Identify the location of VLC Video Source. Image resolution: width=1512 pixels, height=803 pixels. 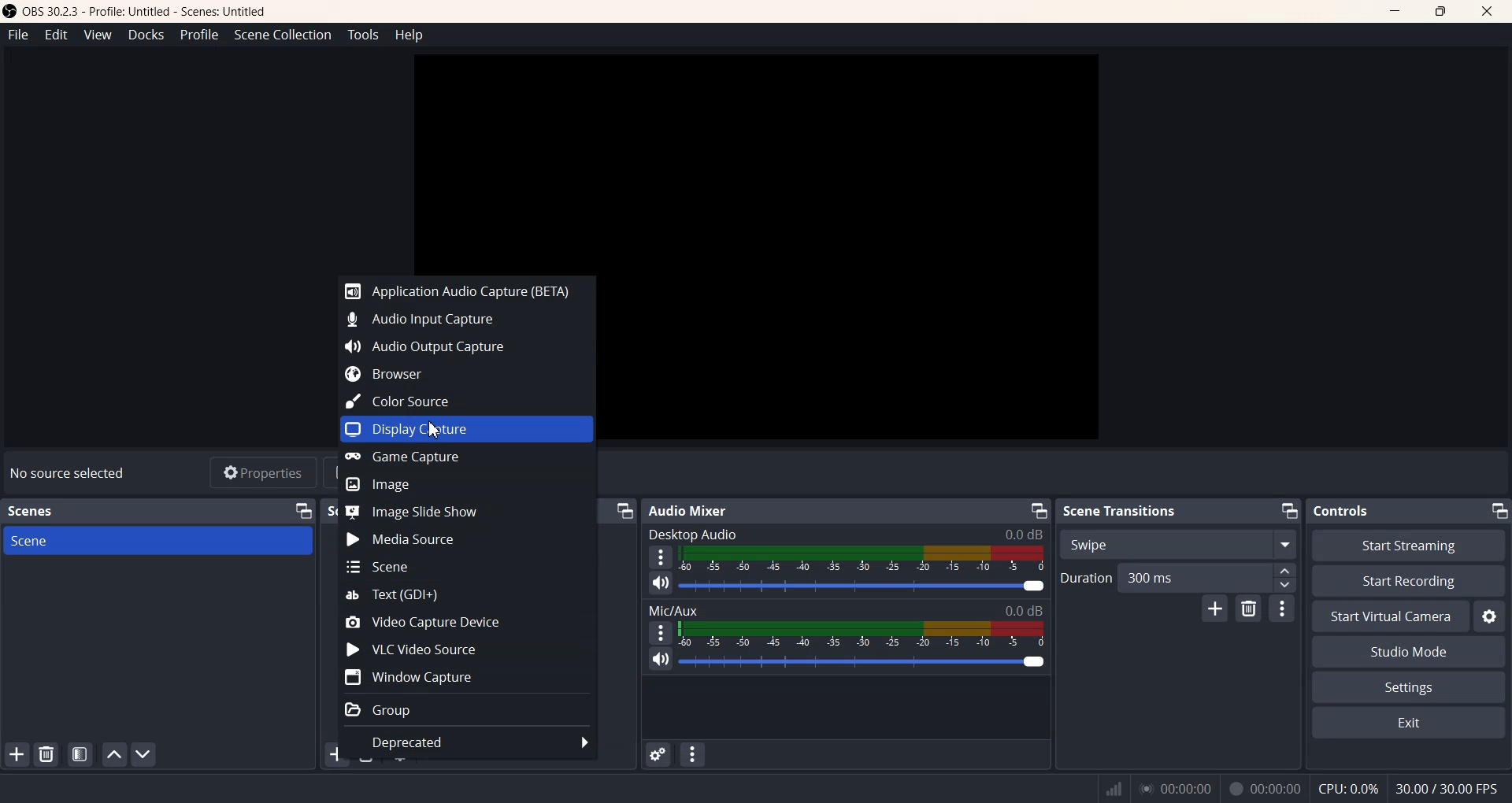
(465, 649).